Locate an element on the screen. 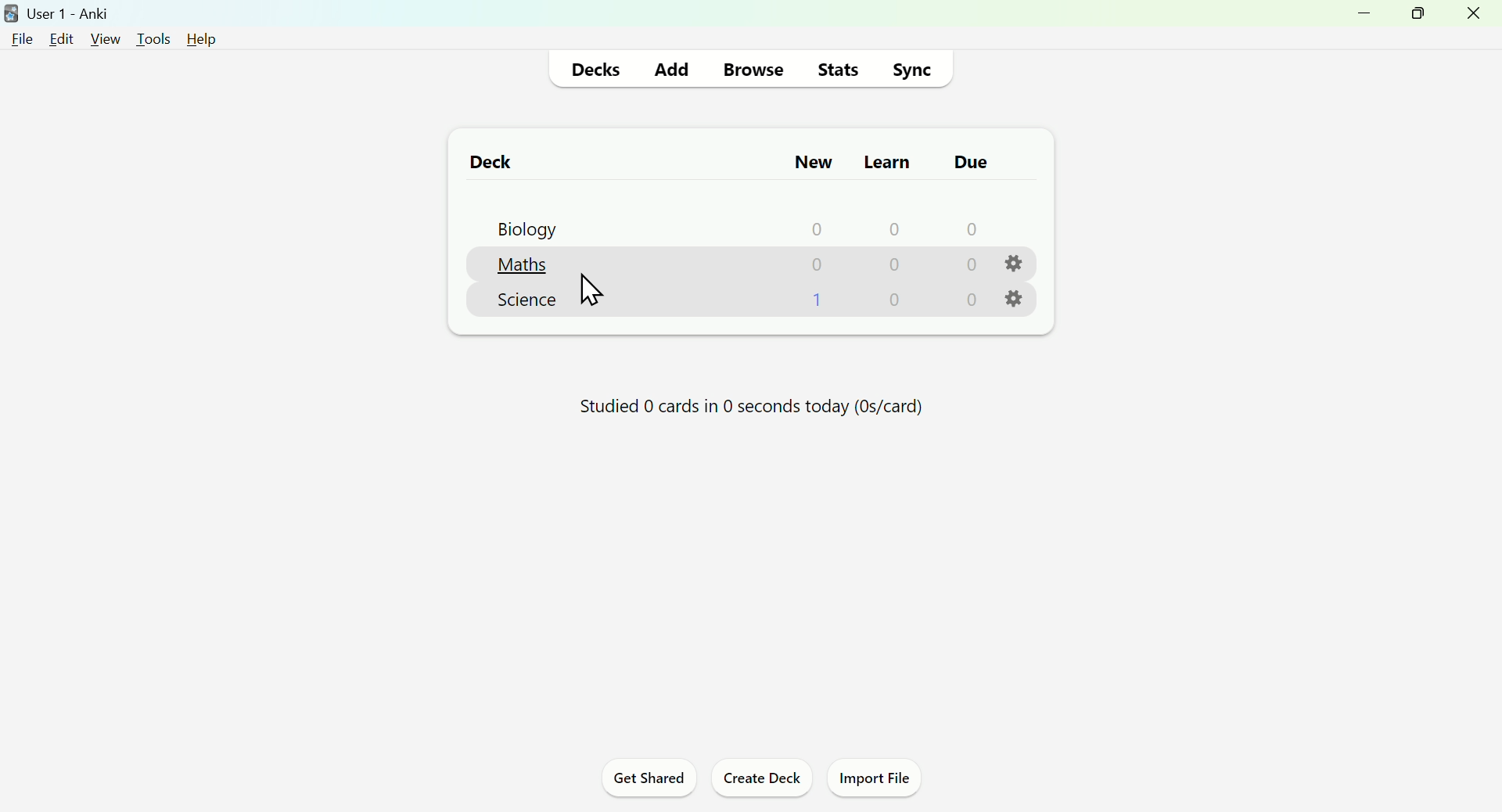 The height and width of the screenshot is (812, 1502). minimize is located at coordinates (1367, 16).